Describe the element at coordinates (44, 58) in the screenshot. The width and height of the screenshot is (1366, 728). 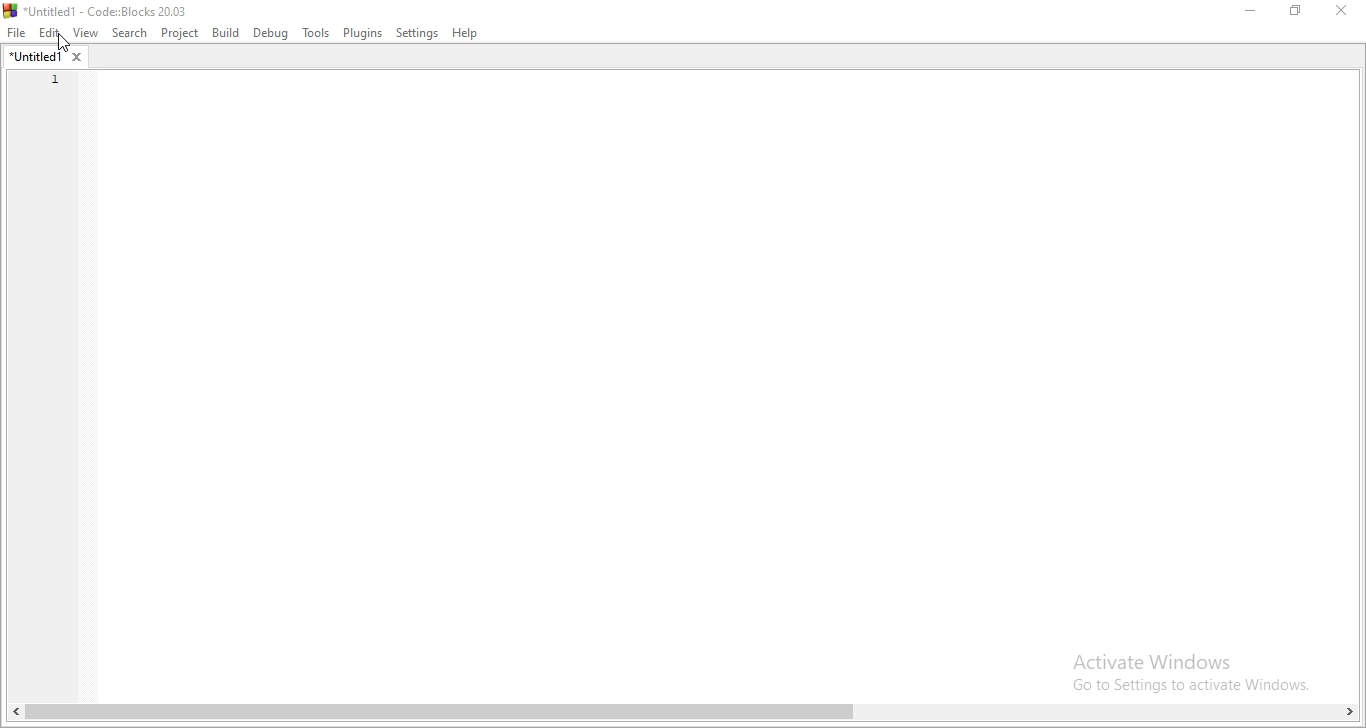
I see `file name tab` at that location.